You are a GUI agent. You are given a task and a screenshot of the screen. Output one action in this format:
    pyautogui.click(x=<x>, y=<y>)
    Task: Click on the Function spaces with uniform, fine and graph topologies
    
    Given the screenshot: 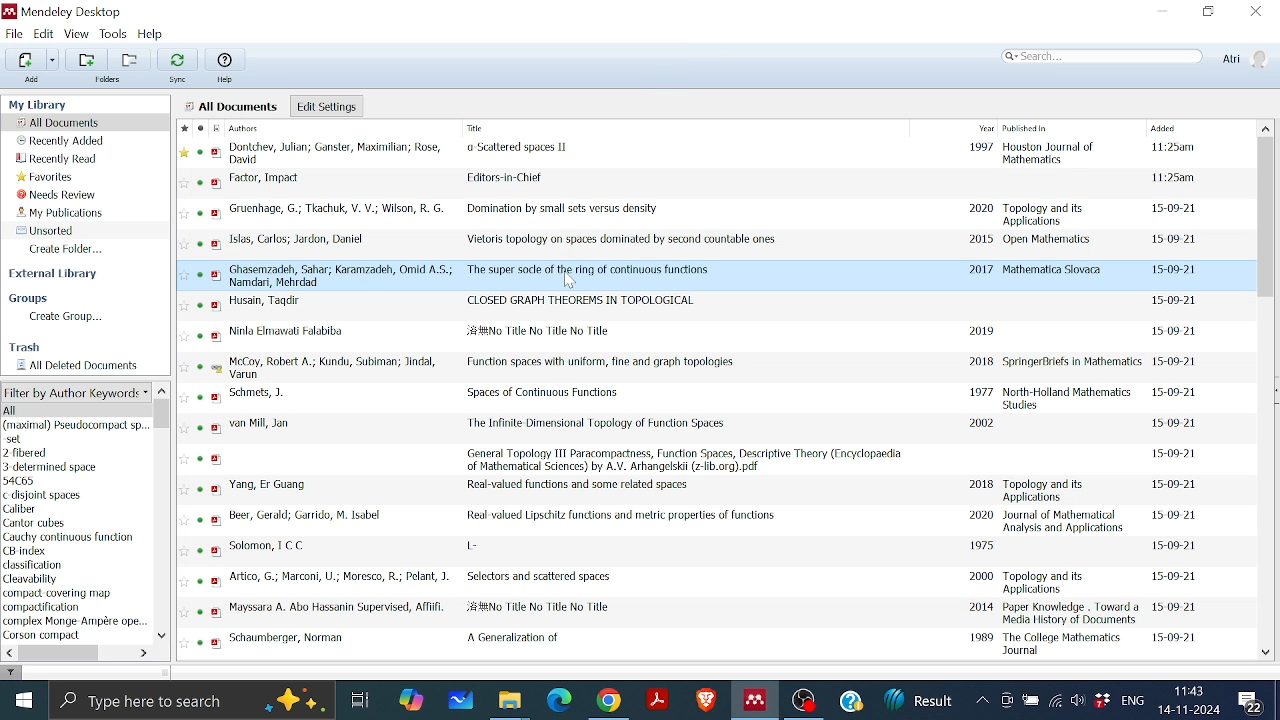 What is the action you would take?
    pyautogui.click(x=708, y=365)
    